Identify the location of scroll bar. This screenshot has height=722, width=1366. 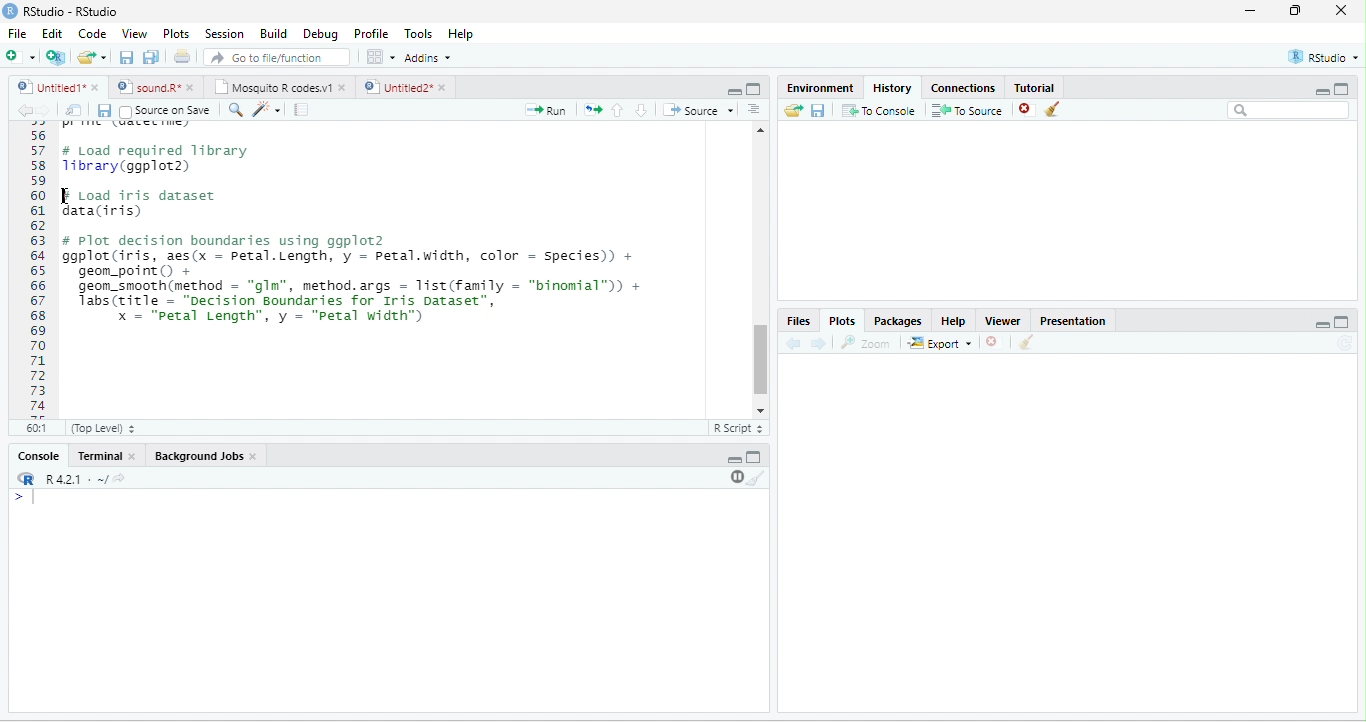
(761, 360).